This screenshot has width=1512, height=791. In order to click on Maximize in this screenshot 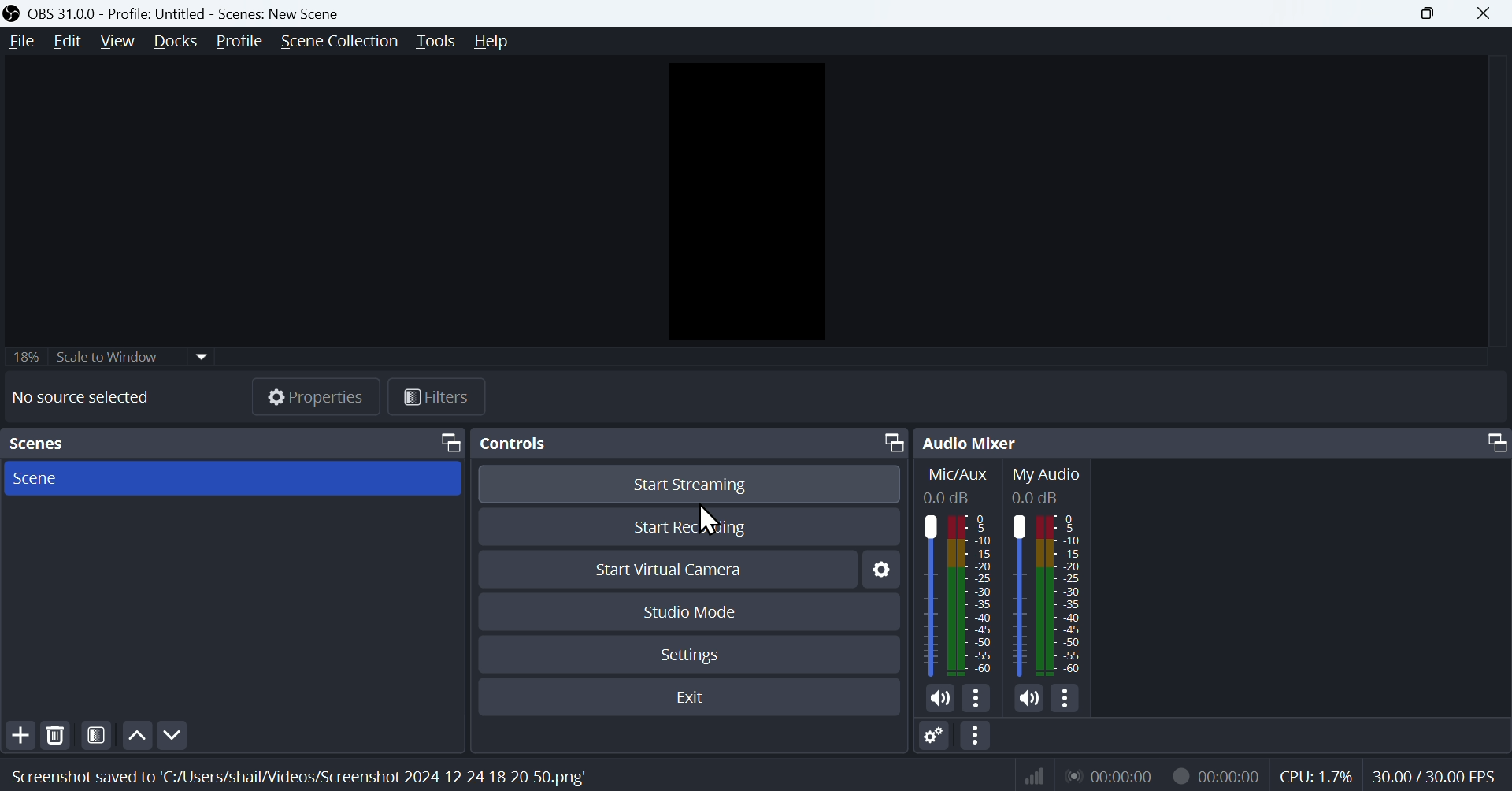, I will do `click(444, 440)`.